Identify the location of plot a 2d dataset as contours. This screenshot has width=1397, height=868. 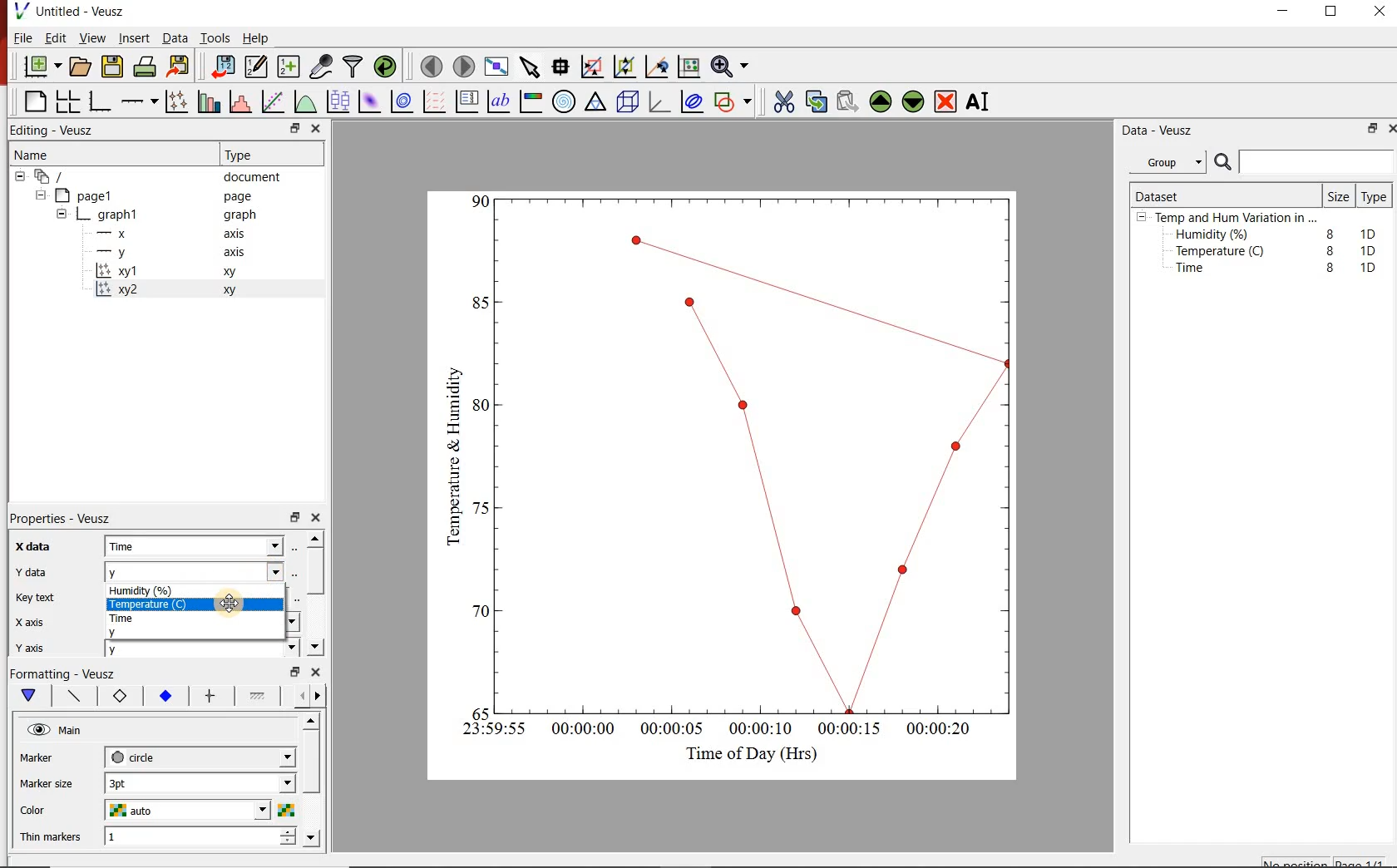
(406, 102).